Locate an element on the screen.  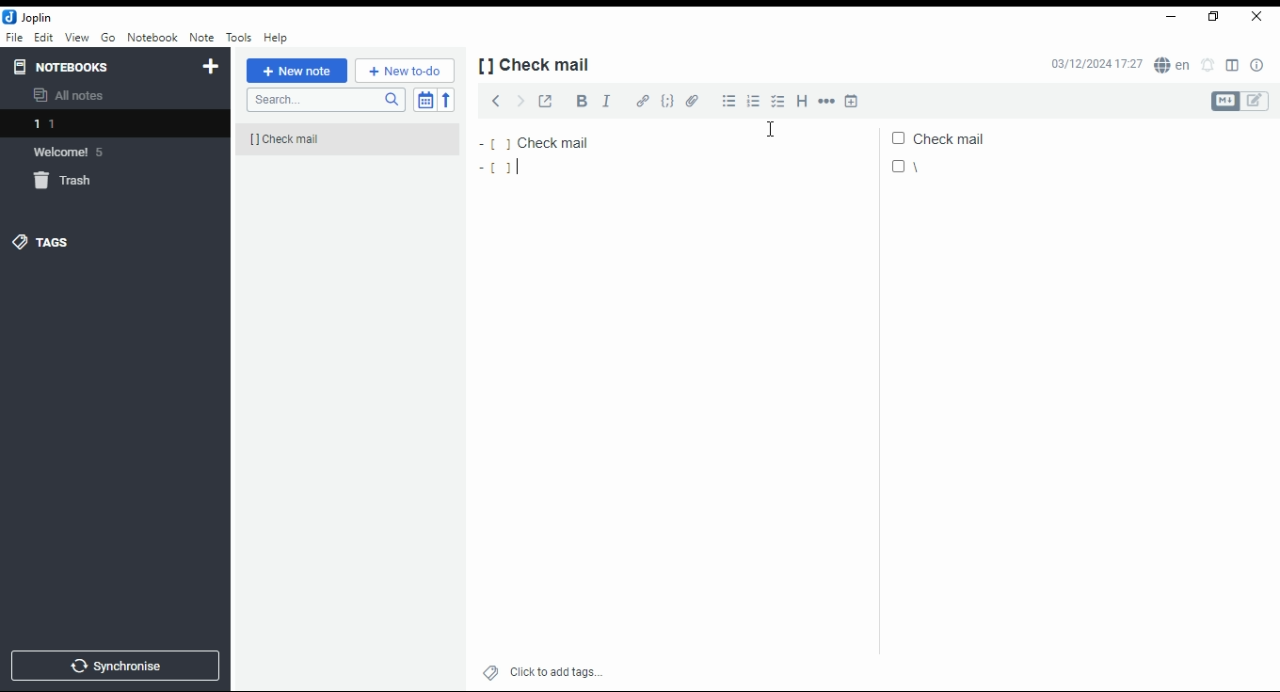
edit is located at coordinates (44, 36).